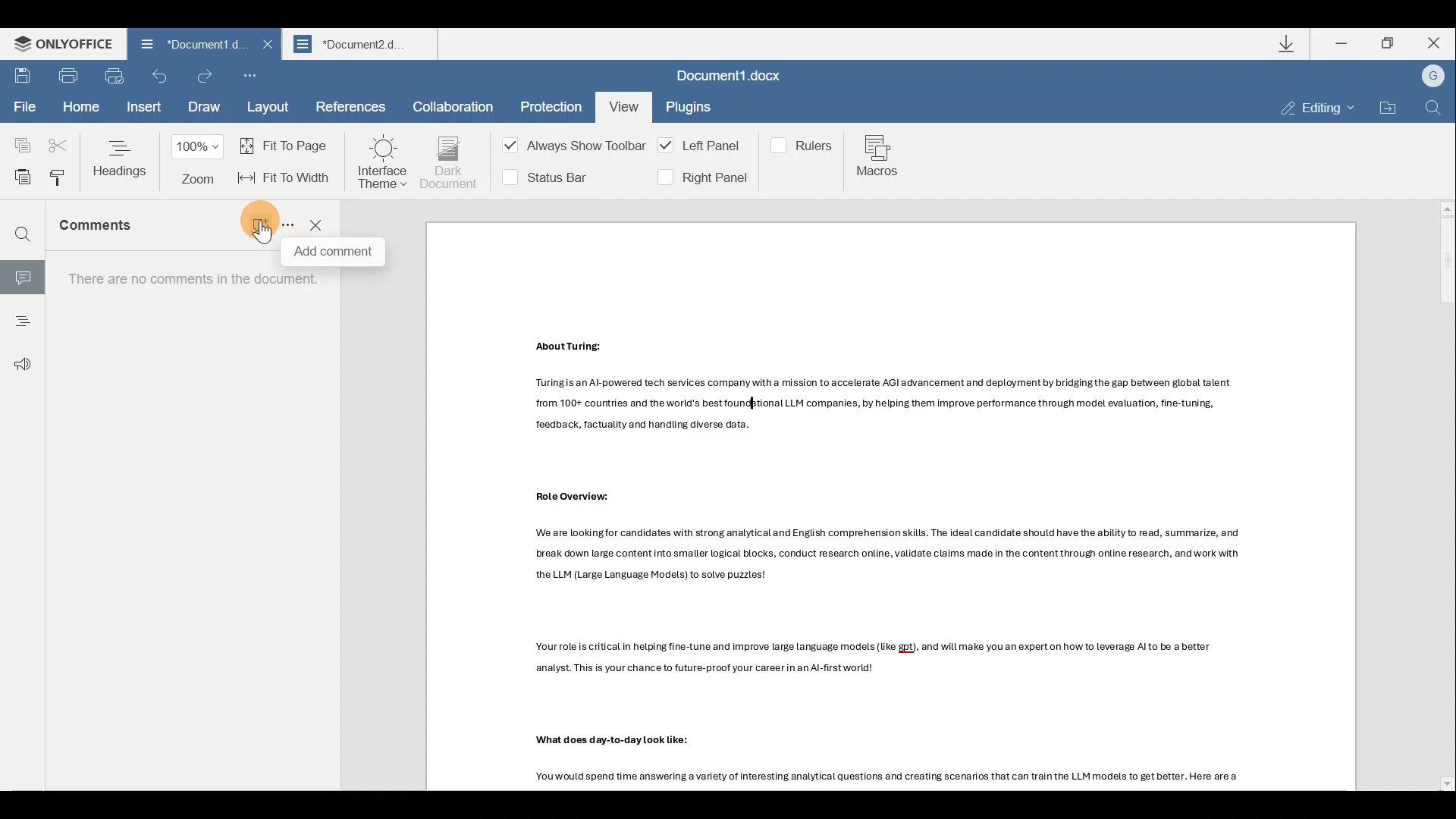 The image size is (1456, 819). What do you see at coordinates (881, 158) in the screenshot?
I see `Macros` at bounding box center [881, 158].